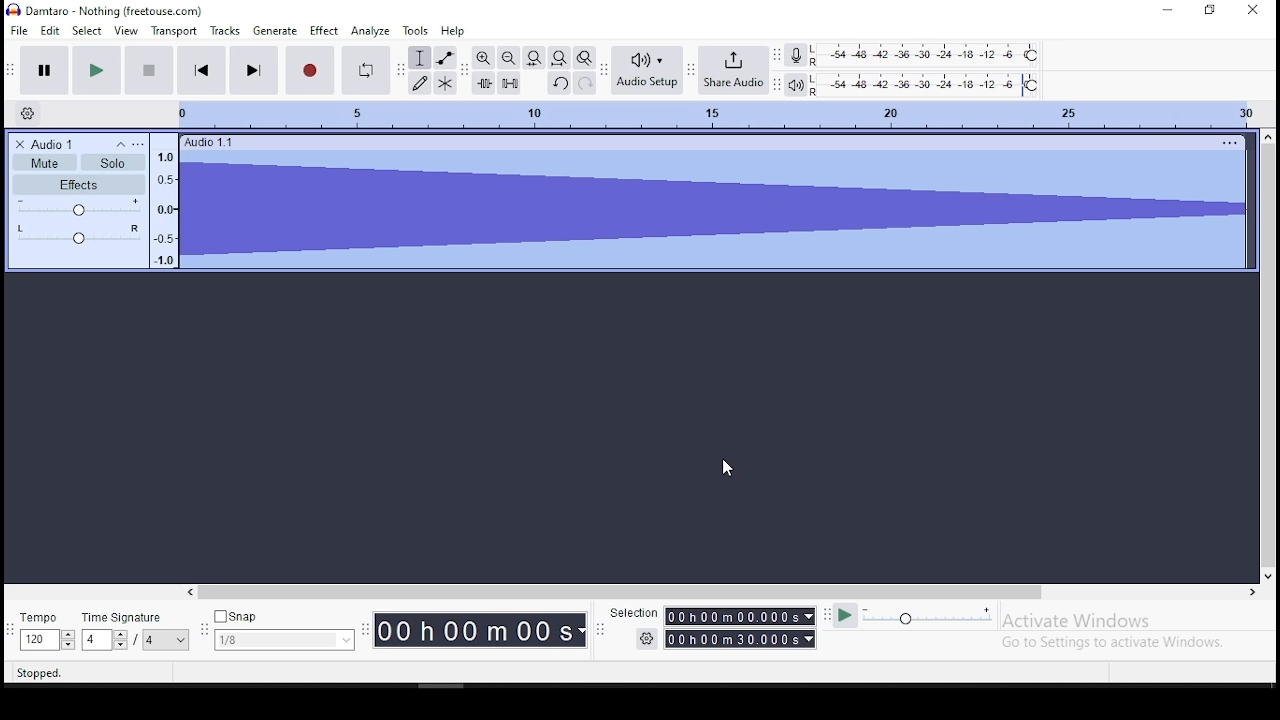 This screenshot has width=1280, height=720. What do you see at coordinates (600, 635) in the screenshot?
I see `show menu` at bounding box center [600, 635].